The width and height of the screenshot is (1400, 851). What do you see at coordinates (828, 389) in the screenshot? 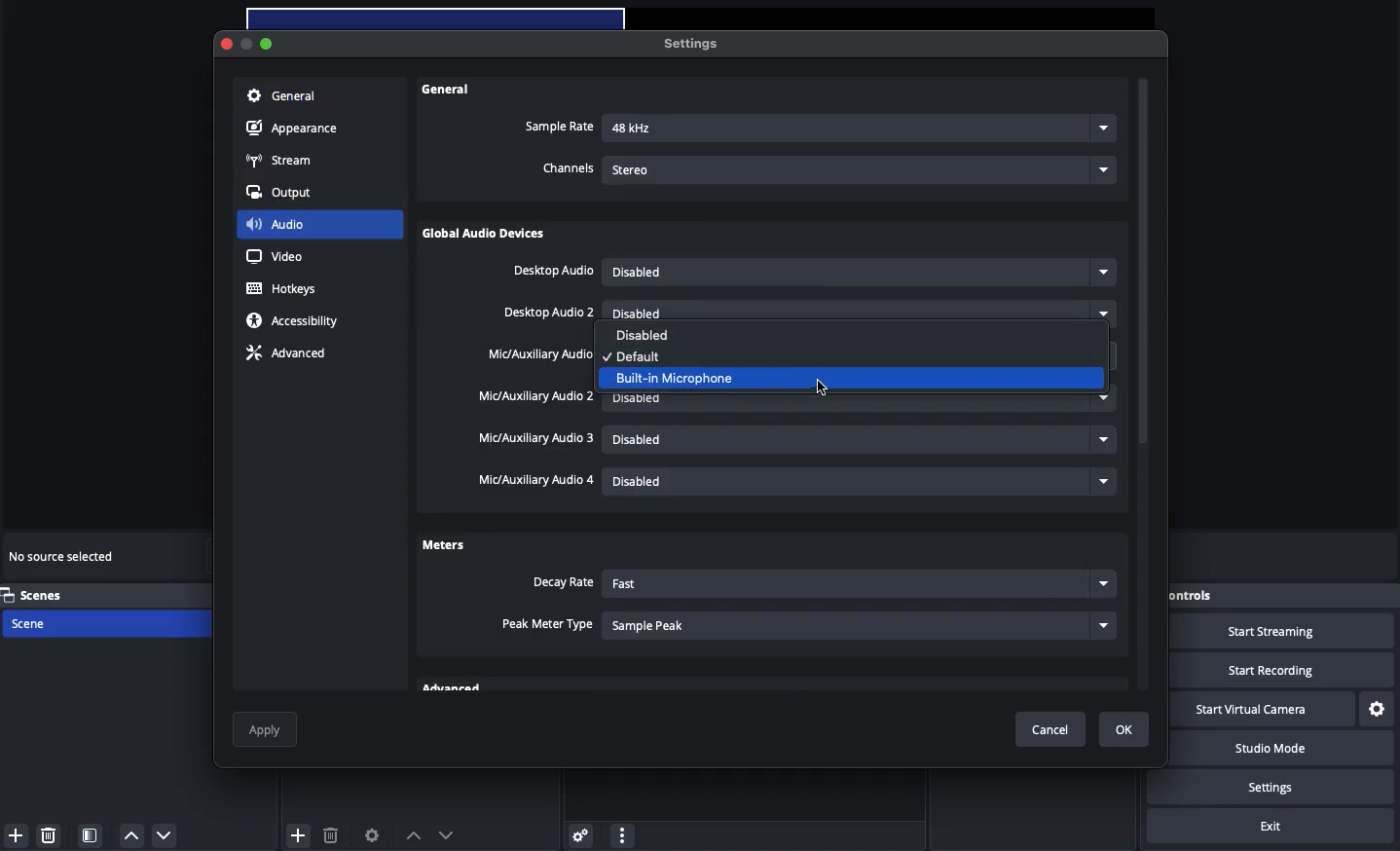
I see `Cursor` at bounding box center [828, 389].